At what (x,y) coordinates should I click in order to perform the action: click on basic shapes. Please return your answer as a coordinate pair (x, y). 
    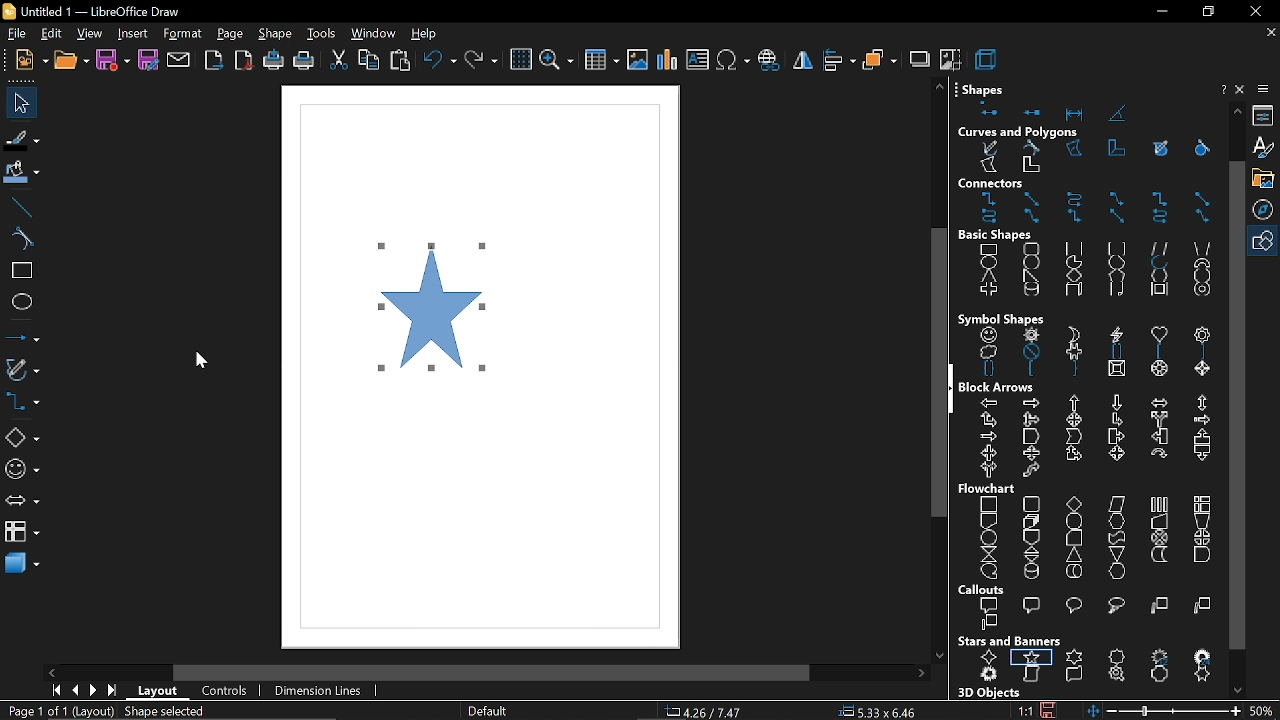
    Looking at the image, I should click on (1088, 271).